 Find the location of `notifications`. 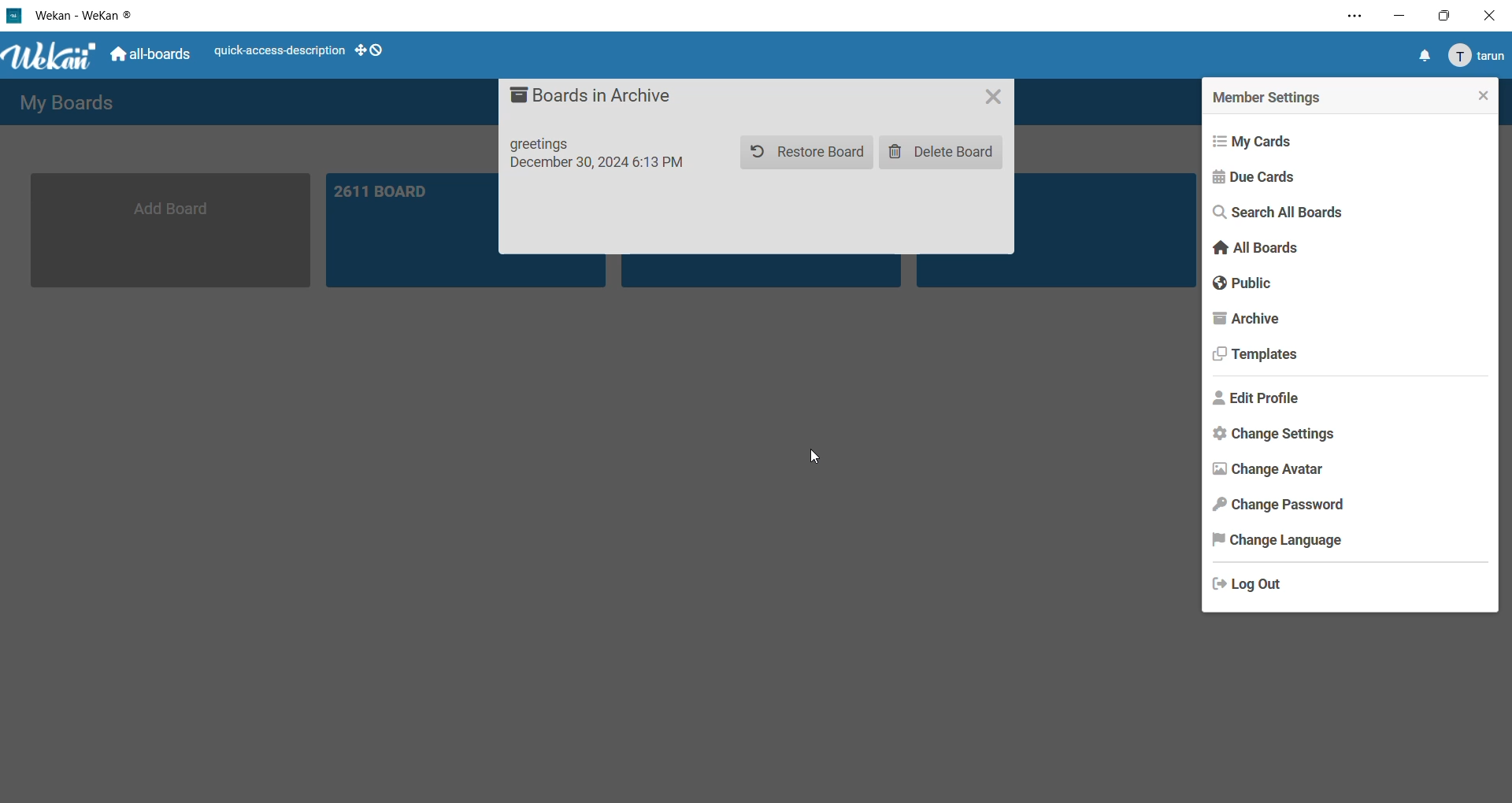

notifications is located at coordinates (1418, 55).